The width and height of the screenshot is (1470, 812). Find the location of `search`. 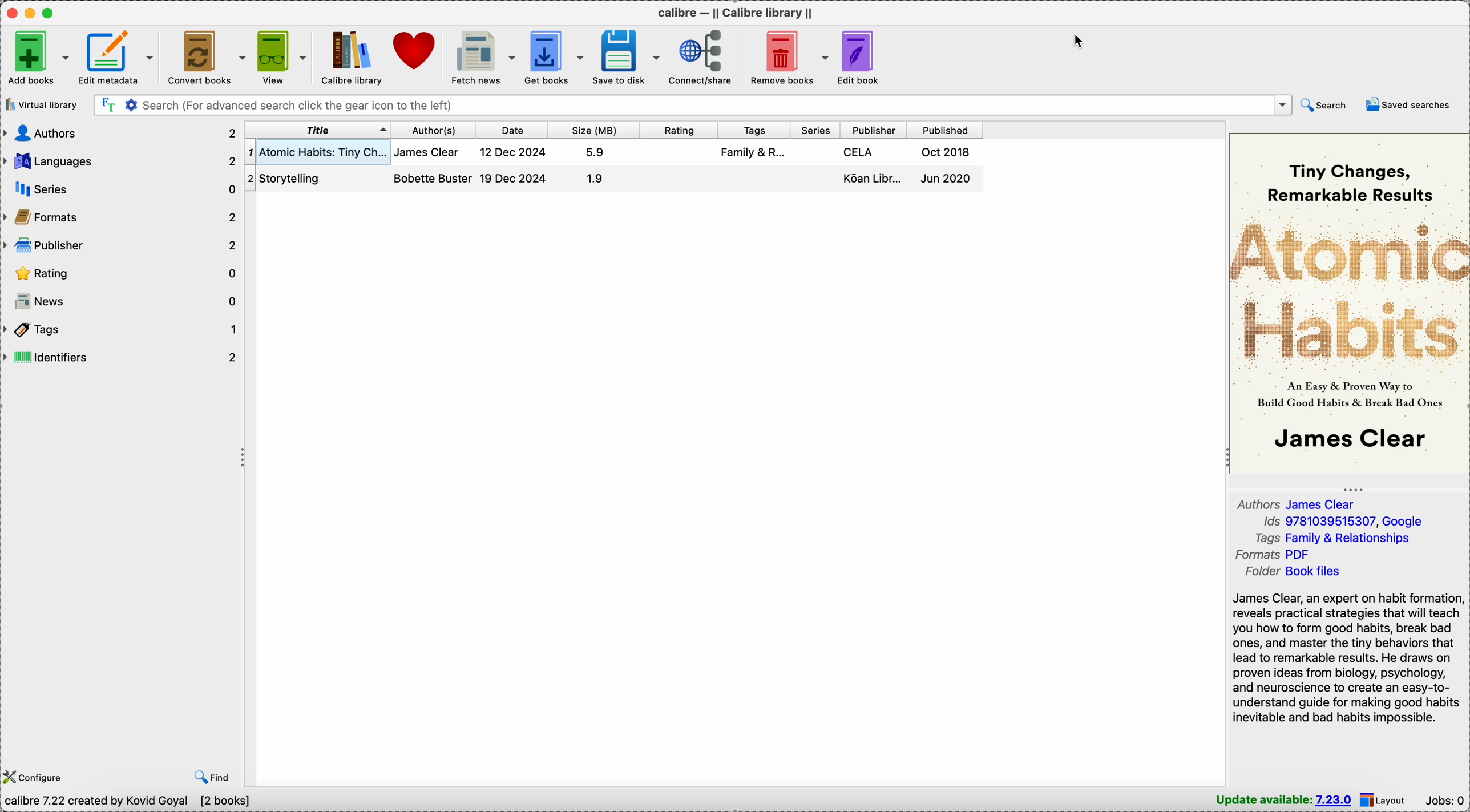

search is located at coordinates (1324, 106).